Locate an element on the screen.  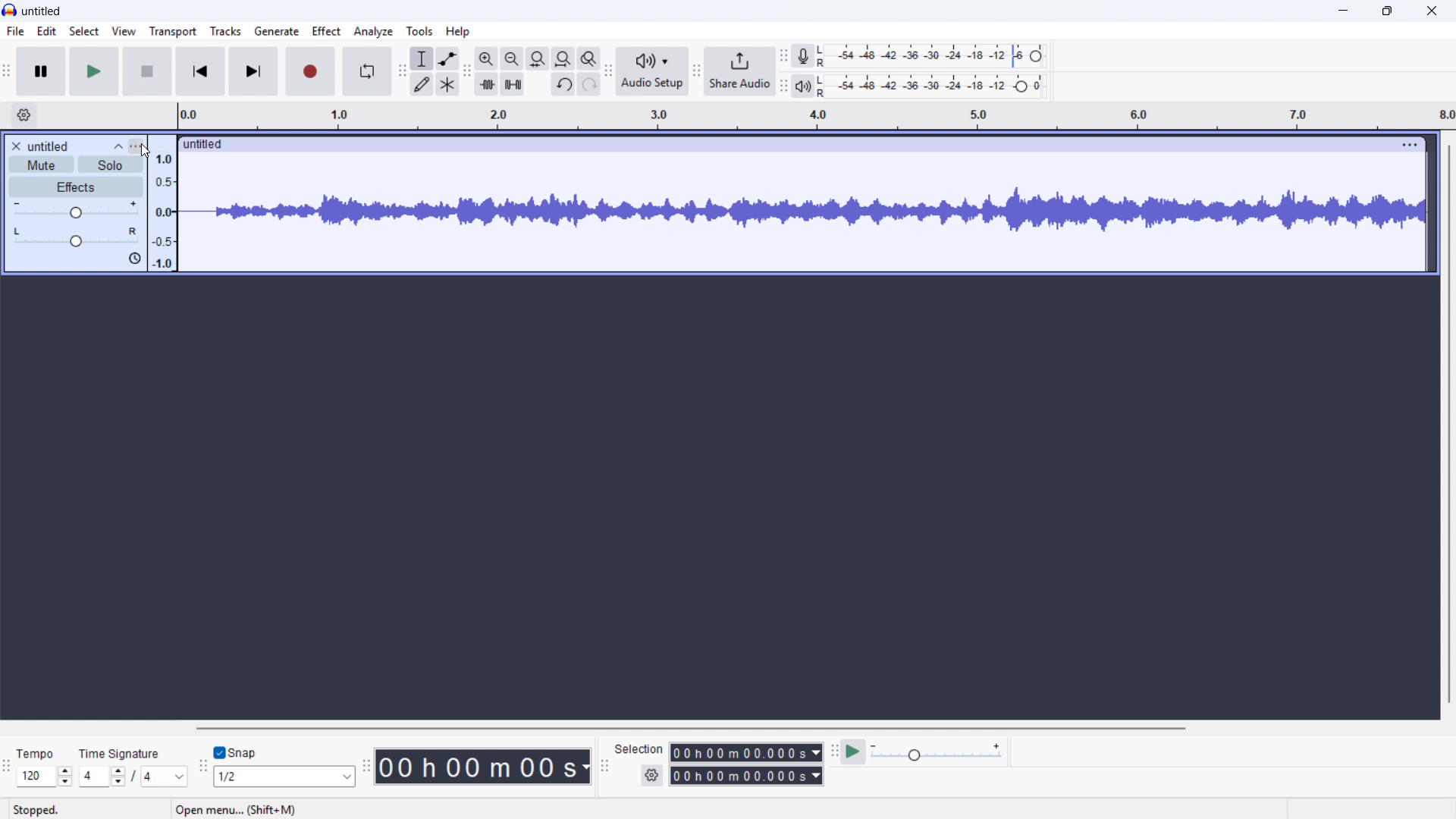
Recording metre  is located at coordinates (802, 56).